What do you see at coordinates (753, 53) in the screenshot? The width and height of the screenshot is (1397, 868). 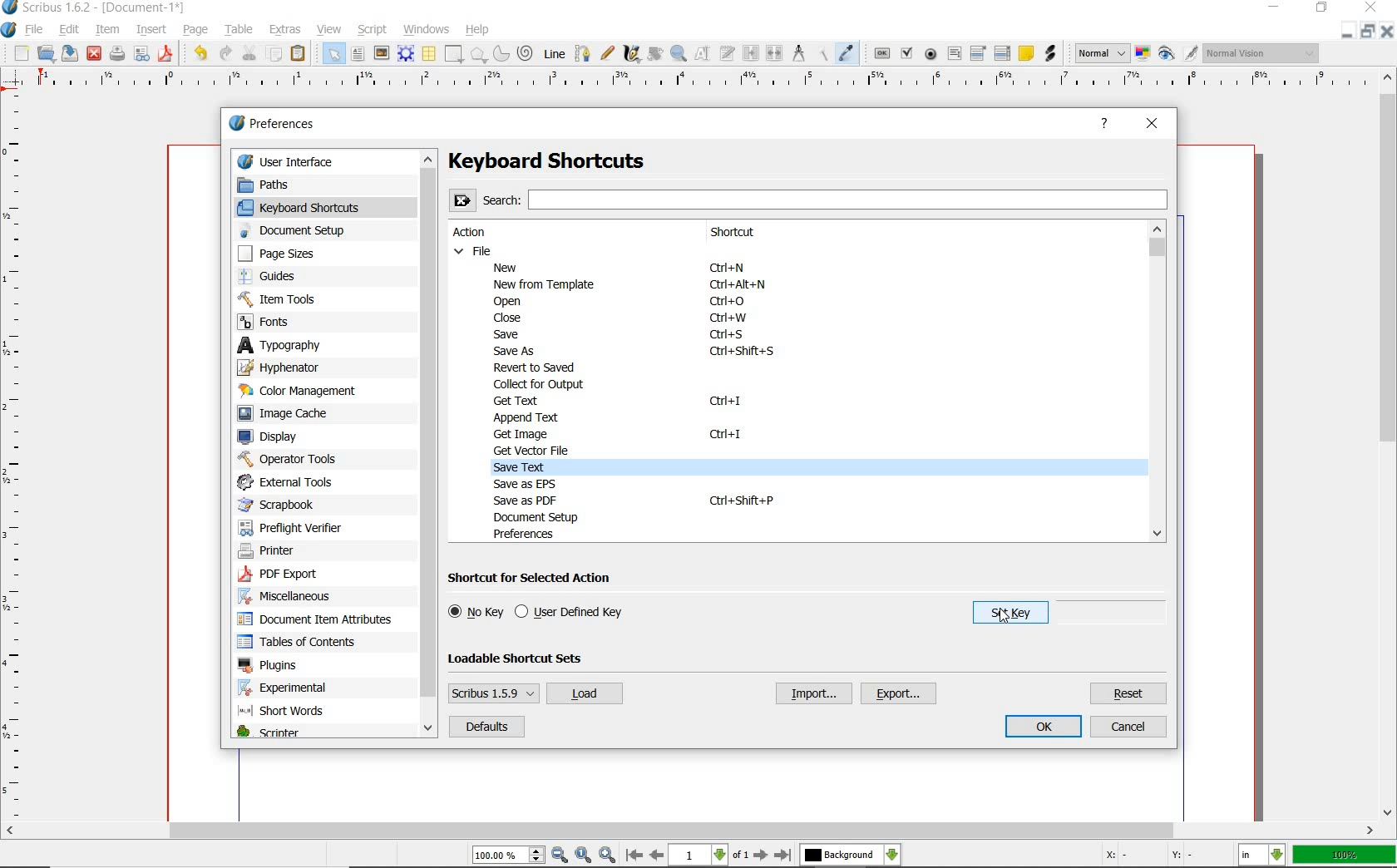 I see `link text frames` at bounding box center [753, 53].